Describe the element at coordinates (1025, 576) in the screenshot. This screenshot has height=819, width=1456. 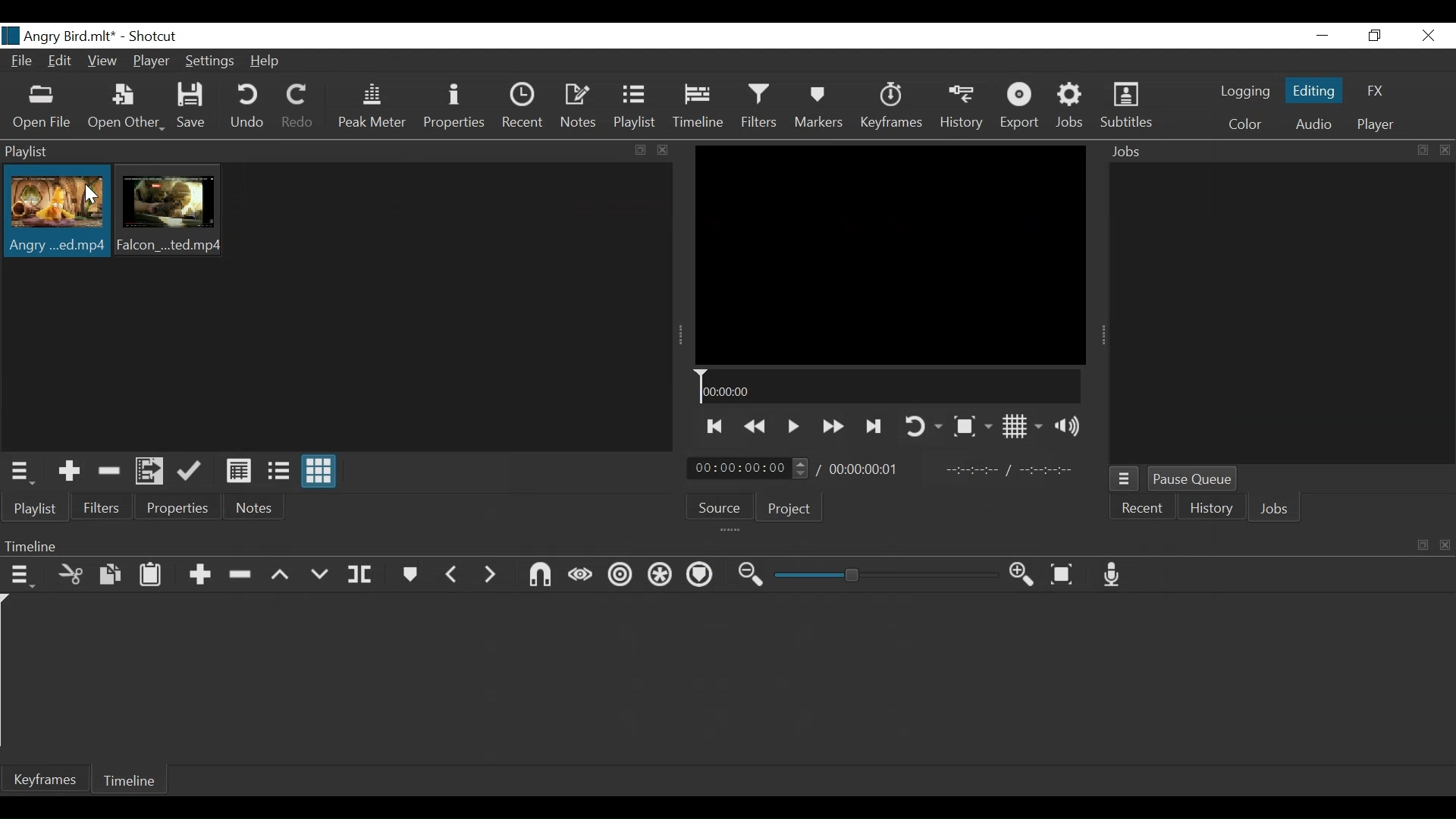
I see `Zoom timeline in` at that location.